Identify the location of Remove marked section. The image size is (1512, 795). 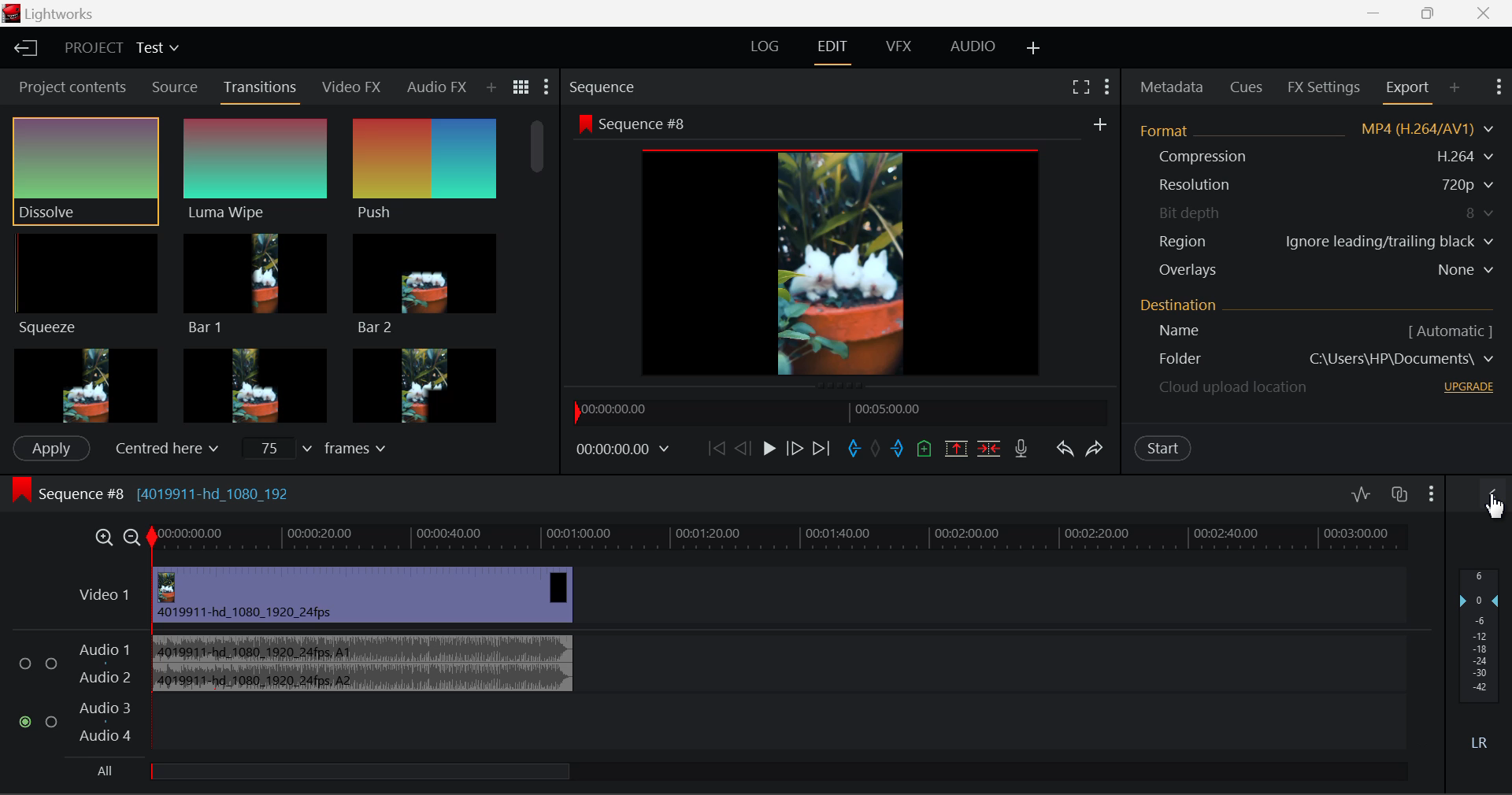
(955, 448).